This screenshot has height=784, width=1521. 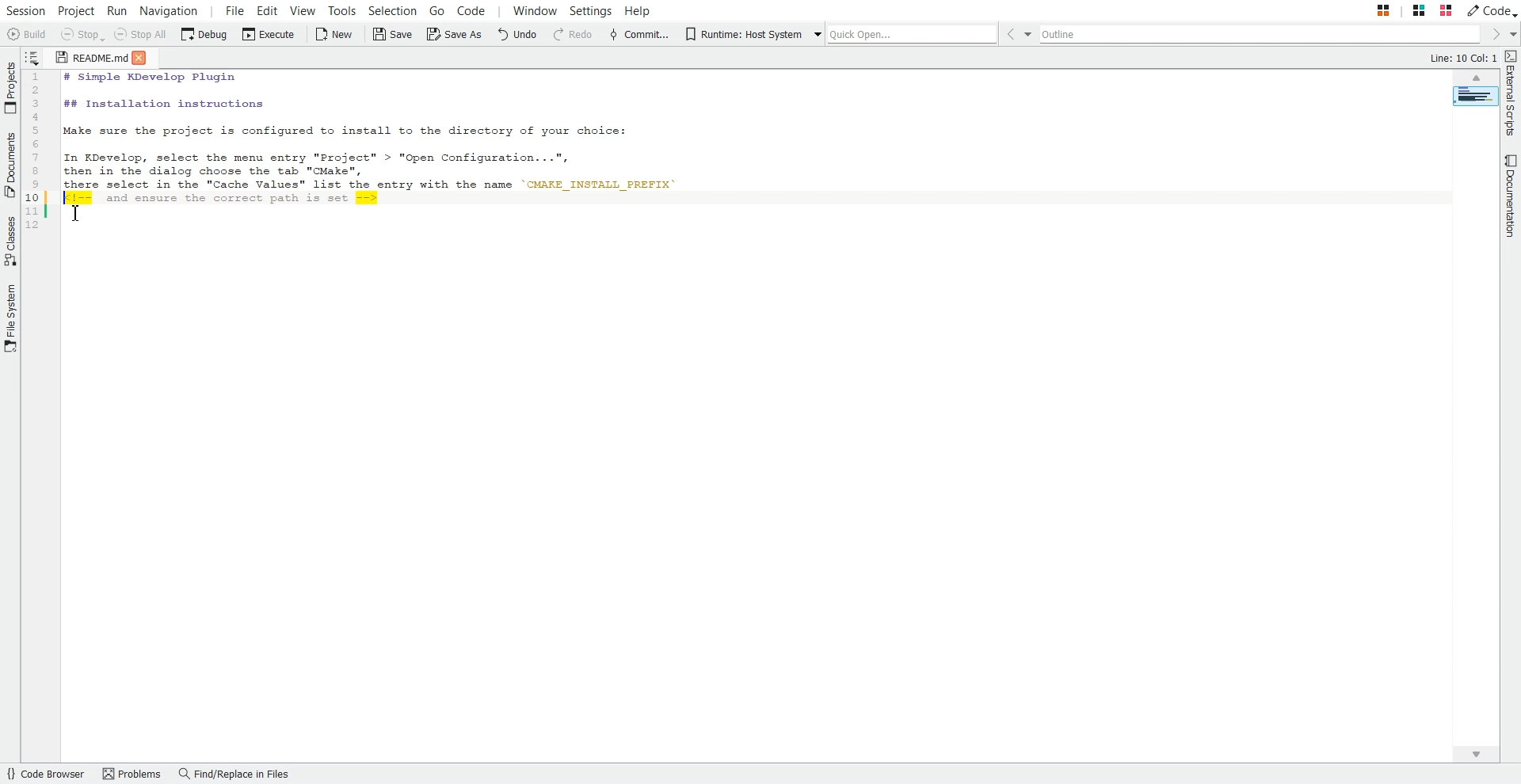 I want to click on Classes, so click(x=10, y=242).